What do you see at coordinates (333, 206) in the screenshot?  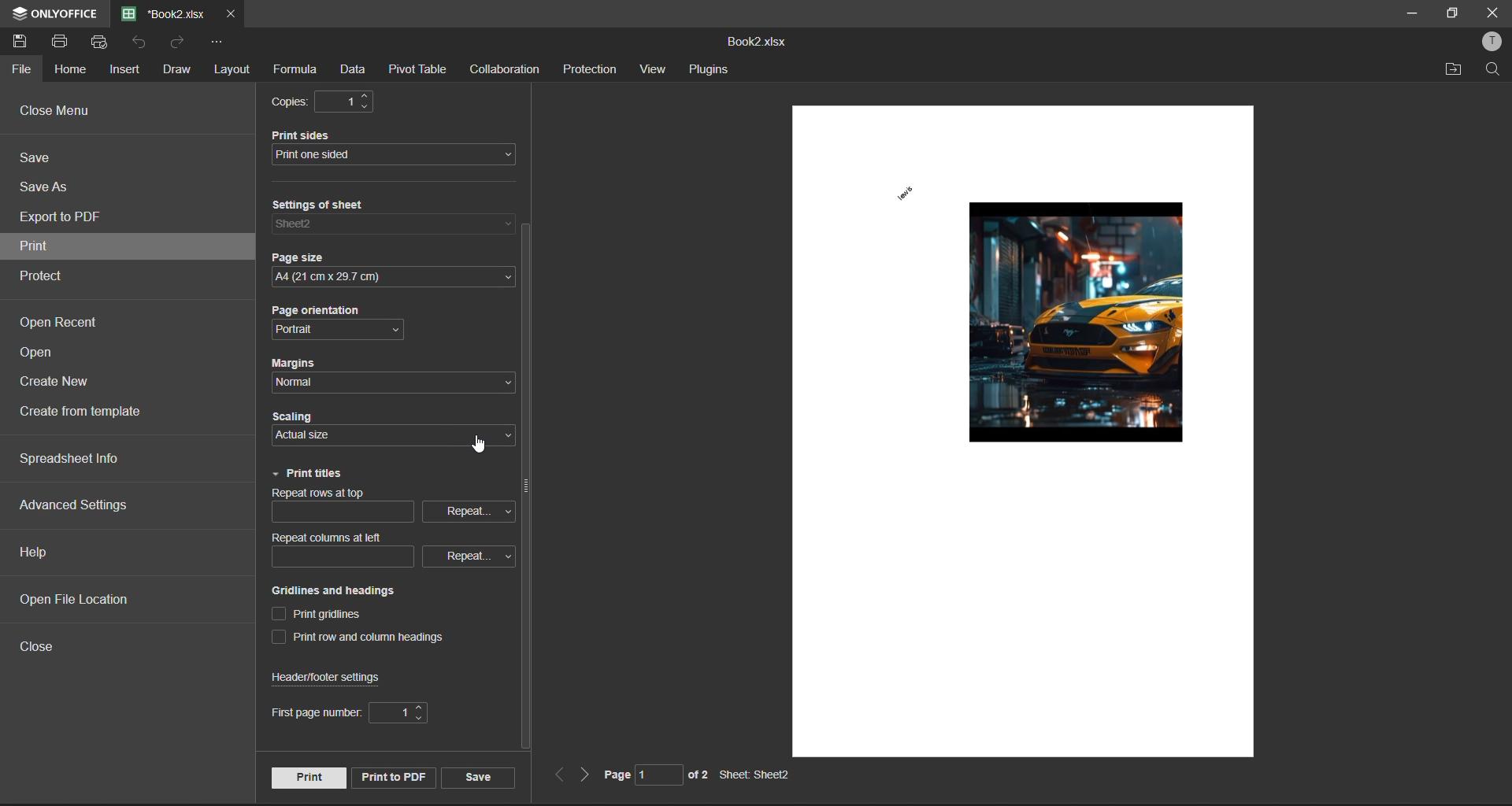 I see `settings of sheet` at bounding box center [333, 206].